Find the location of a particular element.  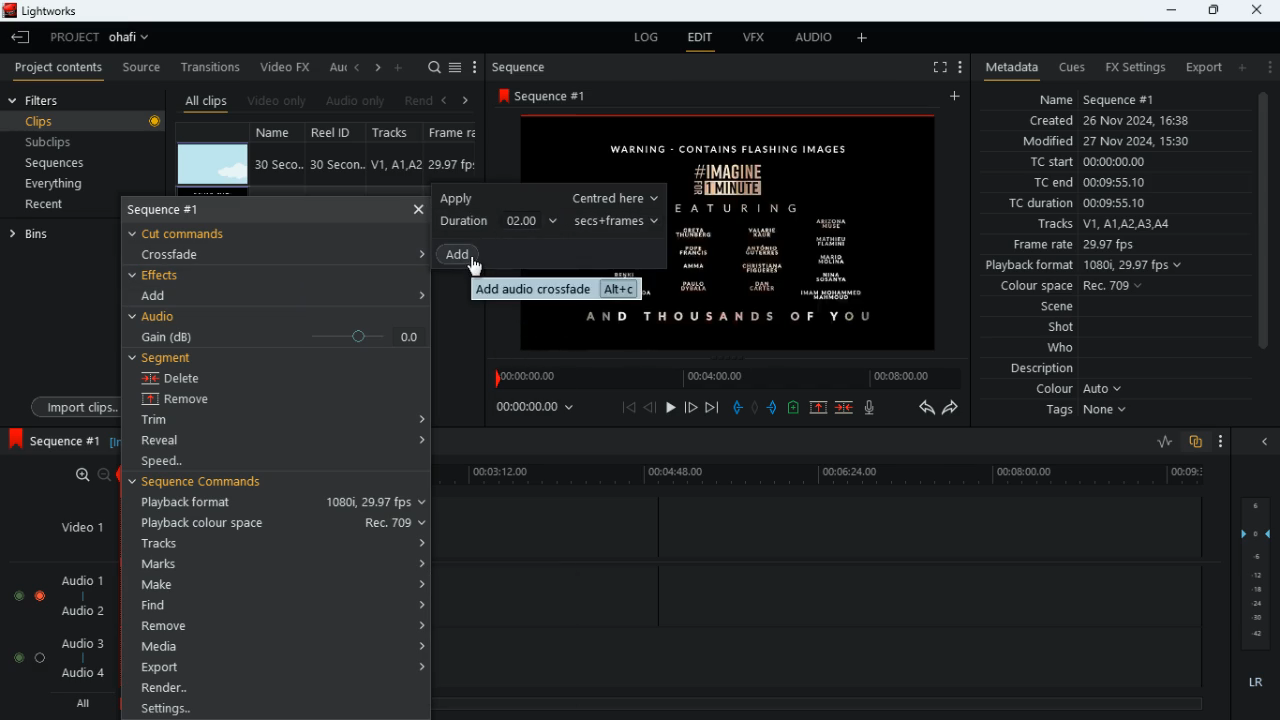

Image is located at coordinates (813, 229).